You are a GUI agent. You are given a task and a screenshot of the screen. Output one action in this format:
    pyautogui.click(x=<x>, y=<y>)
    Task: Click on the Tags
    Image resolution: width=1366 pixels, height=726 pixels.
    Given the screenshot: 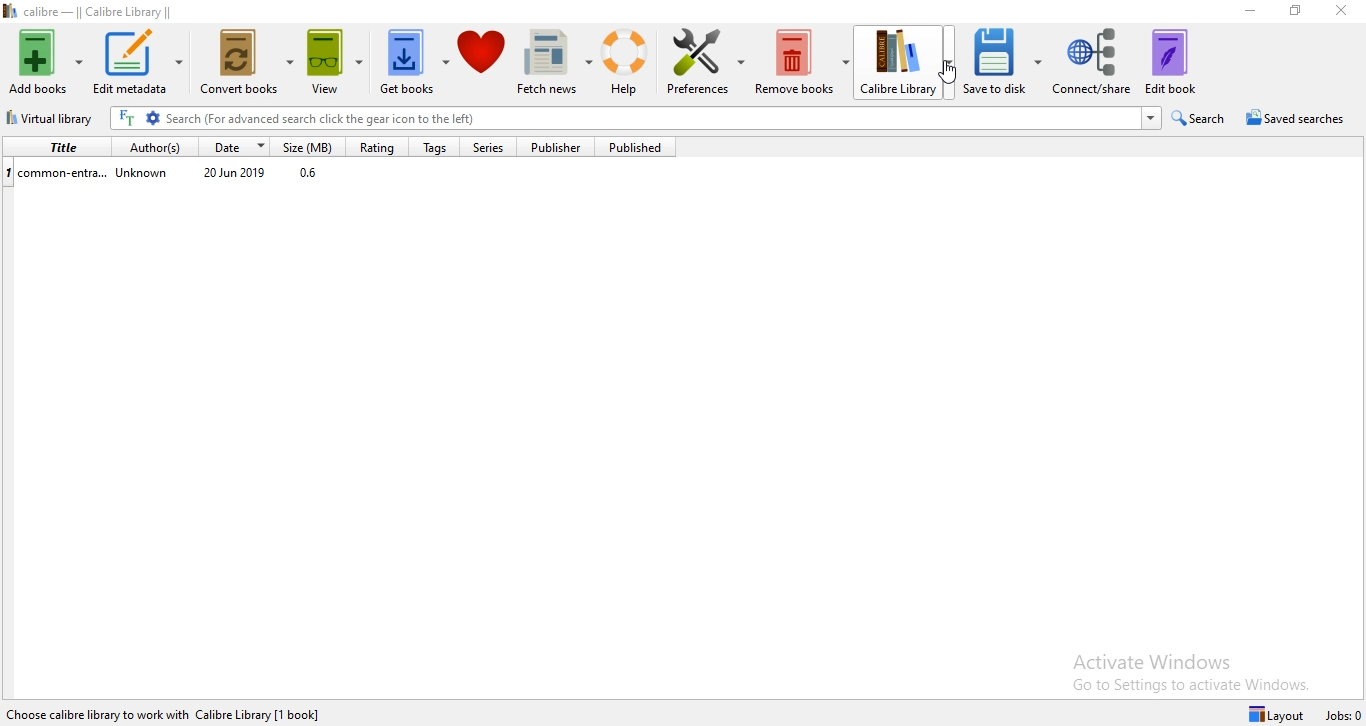 What is the action you would take?
    pyautogui.click(x=433, y=148)
    